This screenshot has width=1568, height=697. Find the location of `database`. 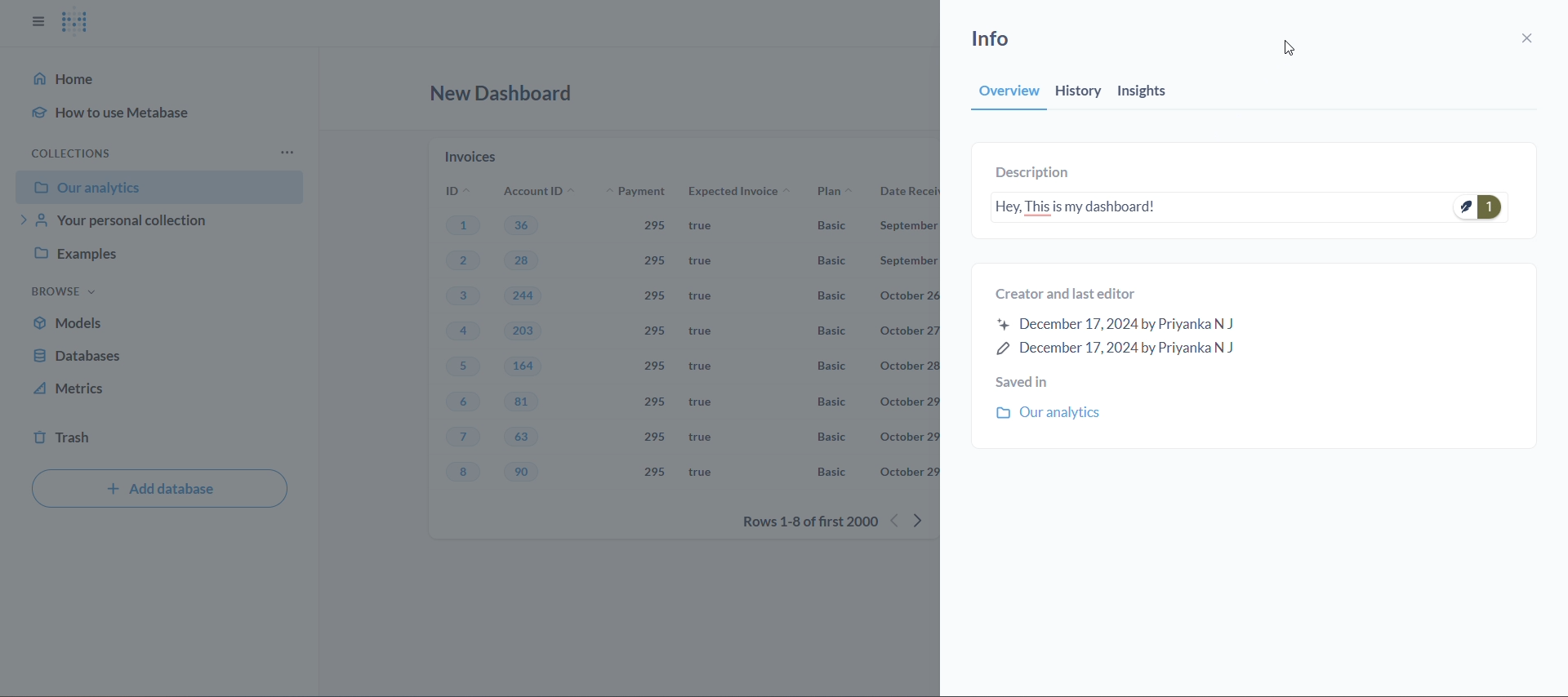

database is located at coordinates (159, 358).